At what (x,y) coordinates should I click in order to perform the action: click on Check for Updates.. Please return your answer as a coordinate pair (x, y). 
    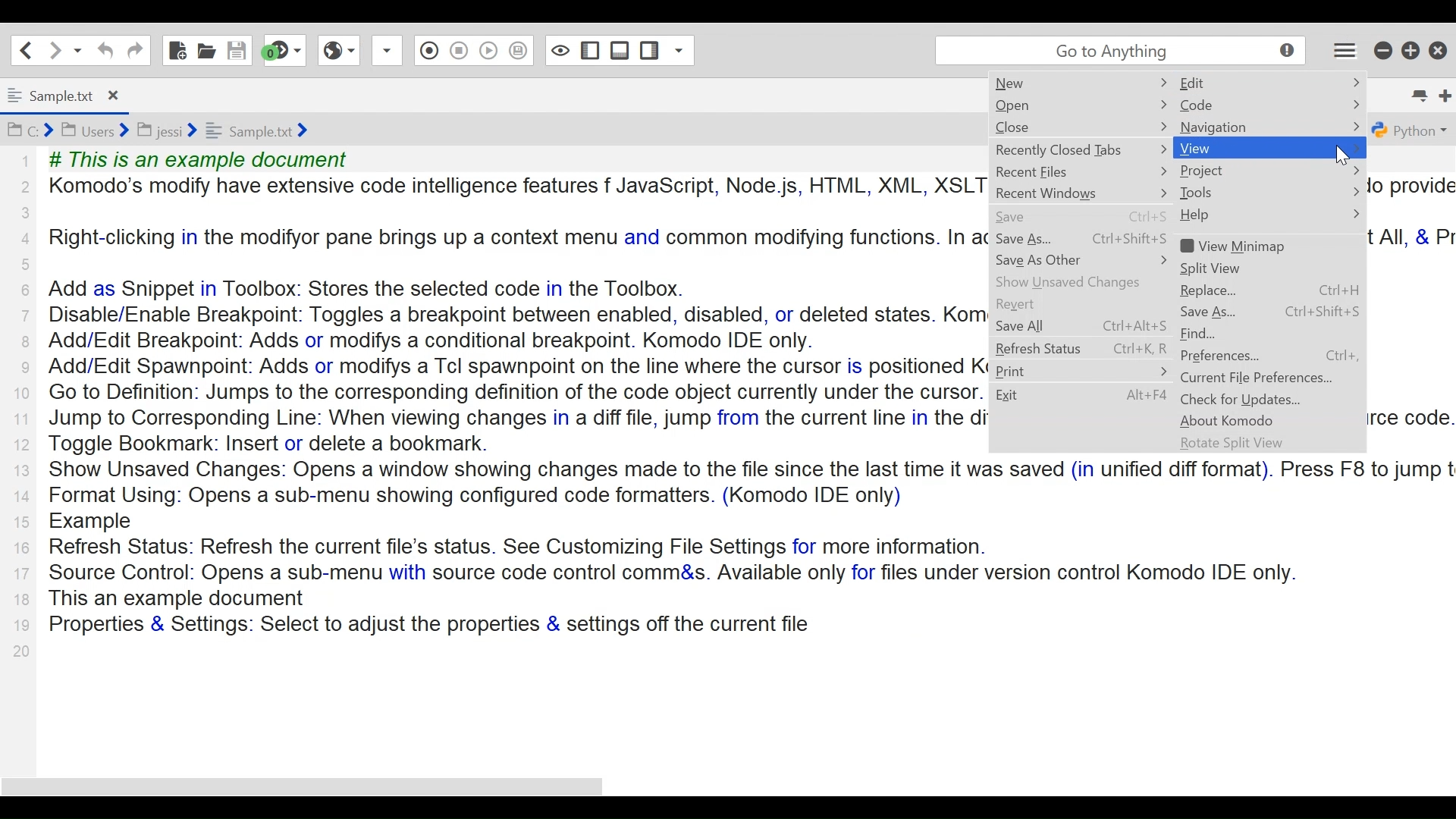
    Looking at the image, I should click on (1242, 399).